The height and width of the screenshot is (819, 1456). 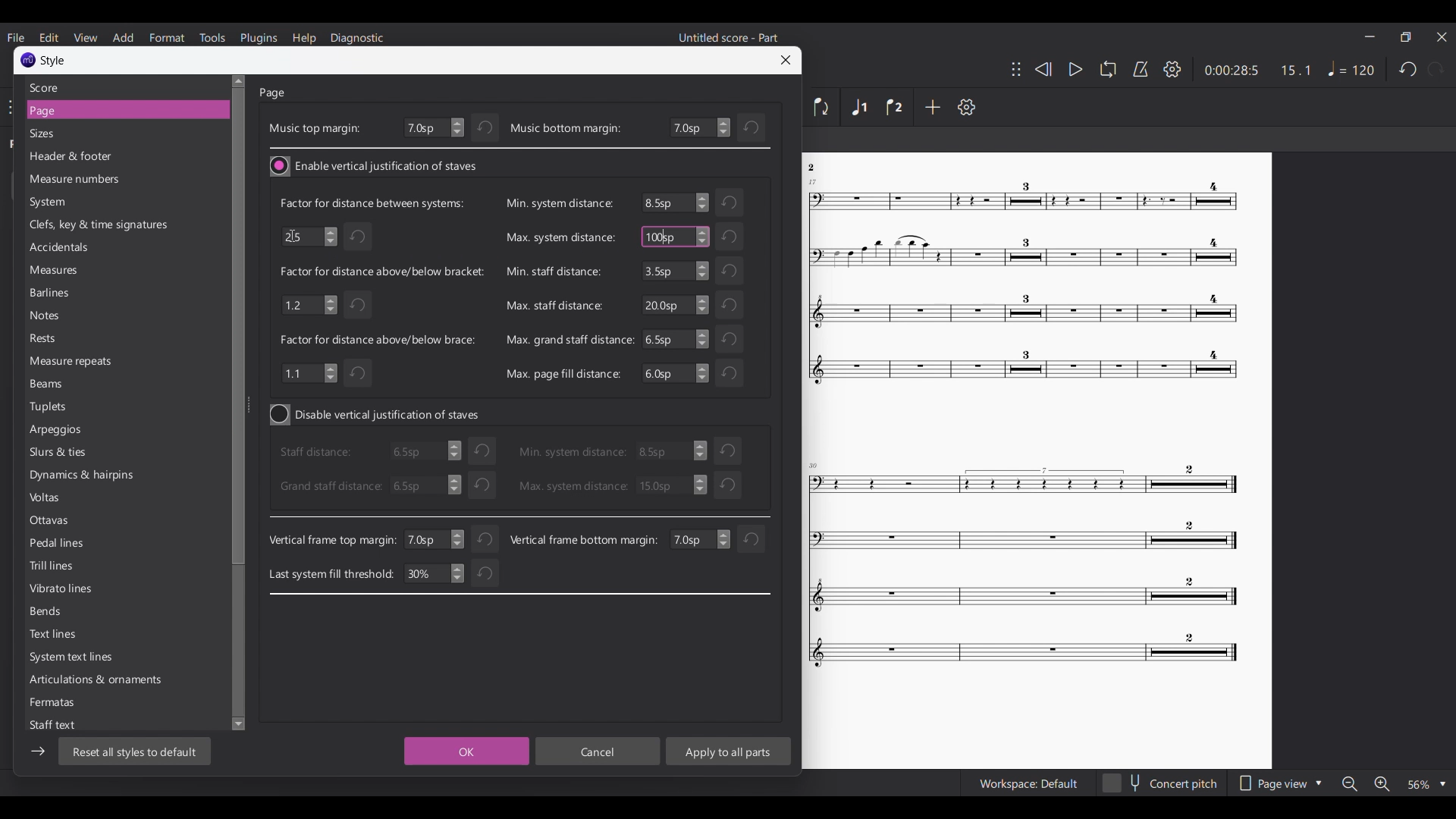 What do you see at coordinates (63, 726) in the screenshot?
I see `Staff text` at bounding box center [63, 726].